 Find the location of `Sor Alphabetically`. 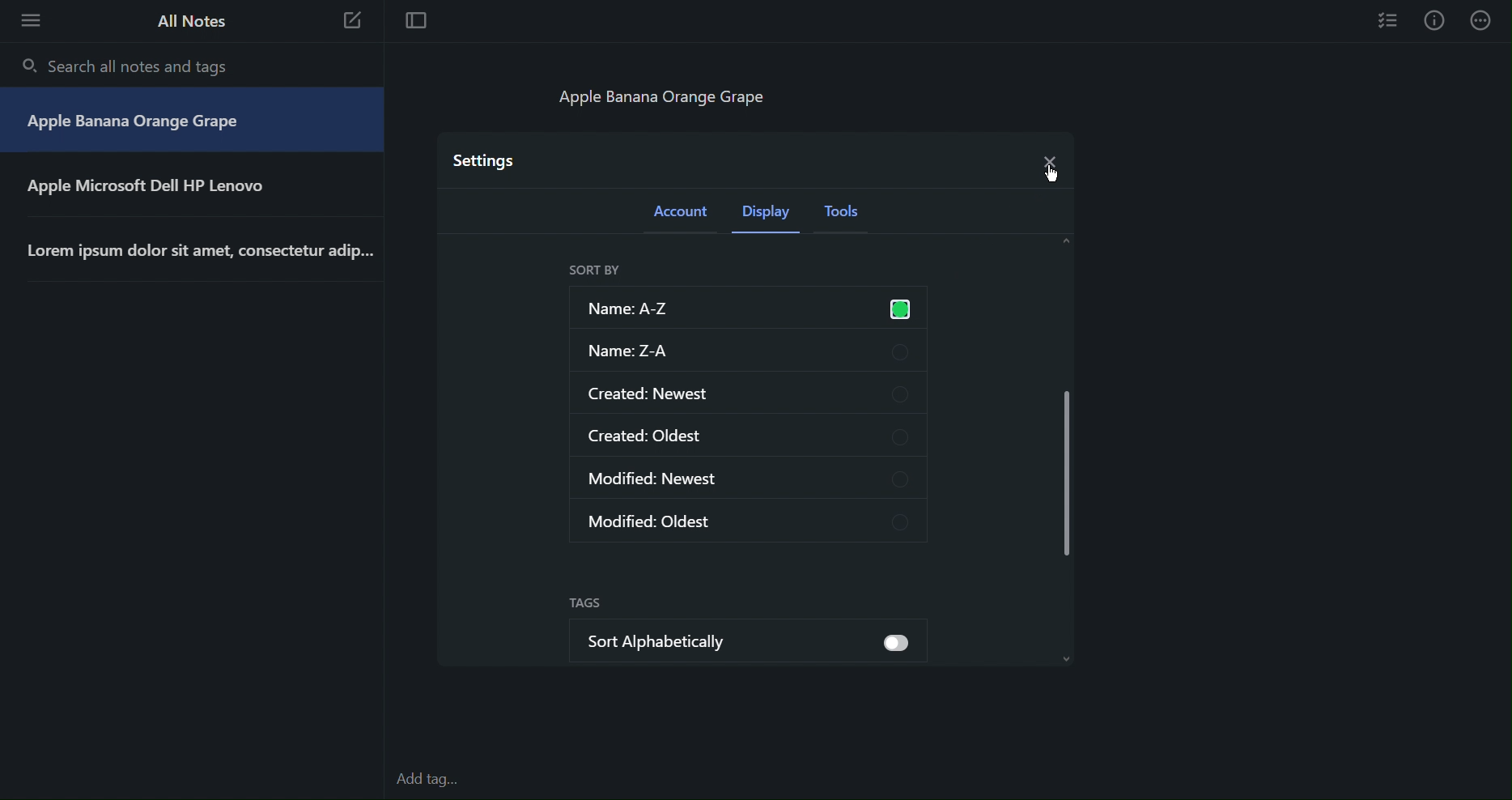

Sor Alphabetically is located at coordinates (705, 637).